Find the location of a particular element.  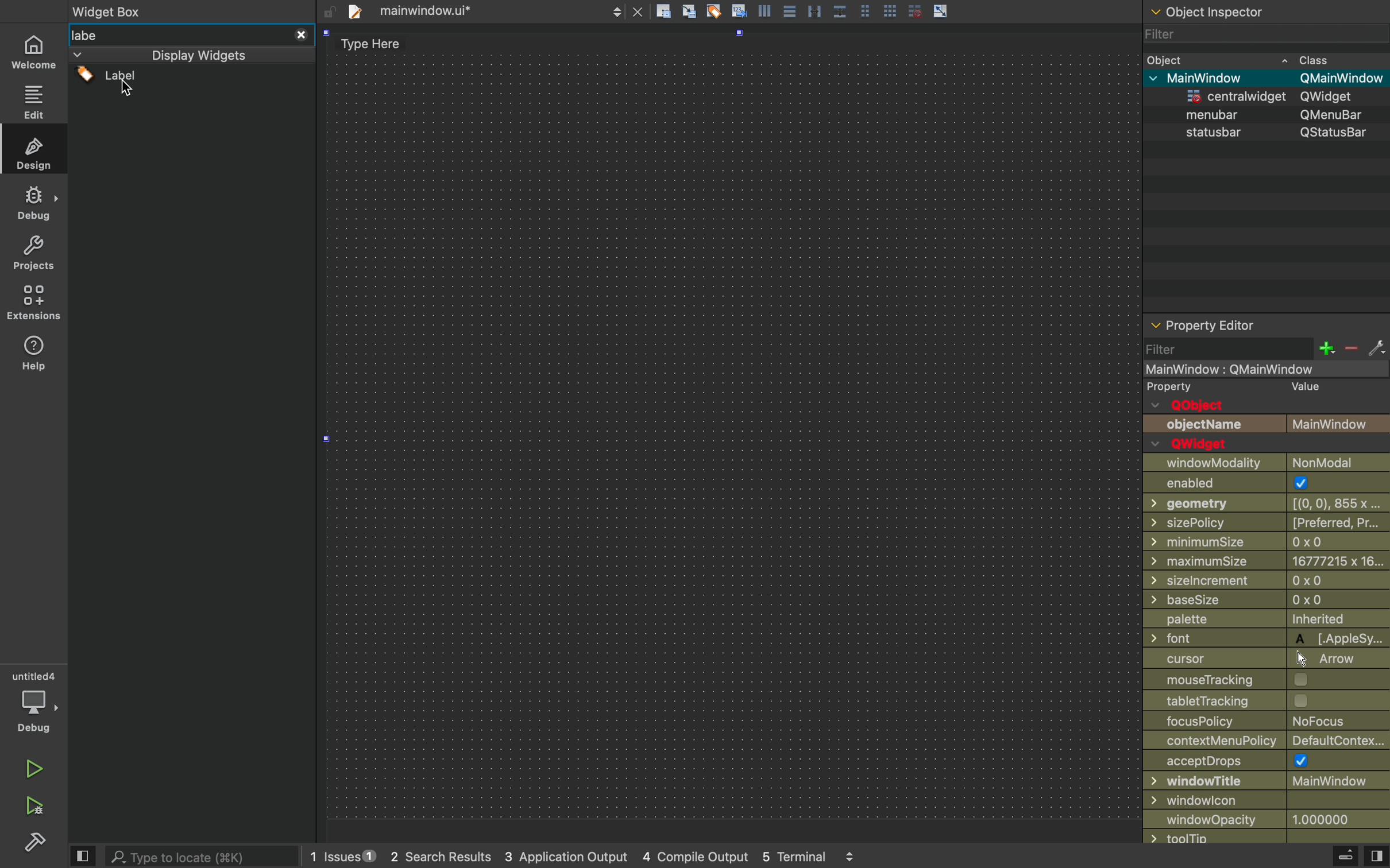

filter is located at coordinates (1259, 38).